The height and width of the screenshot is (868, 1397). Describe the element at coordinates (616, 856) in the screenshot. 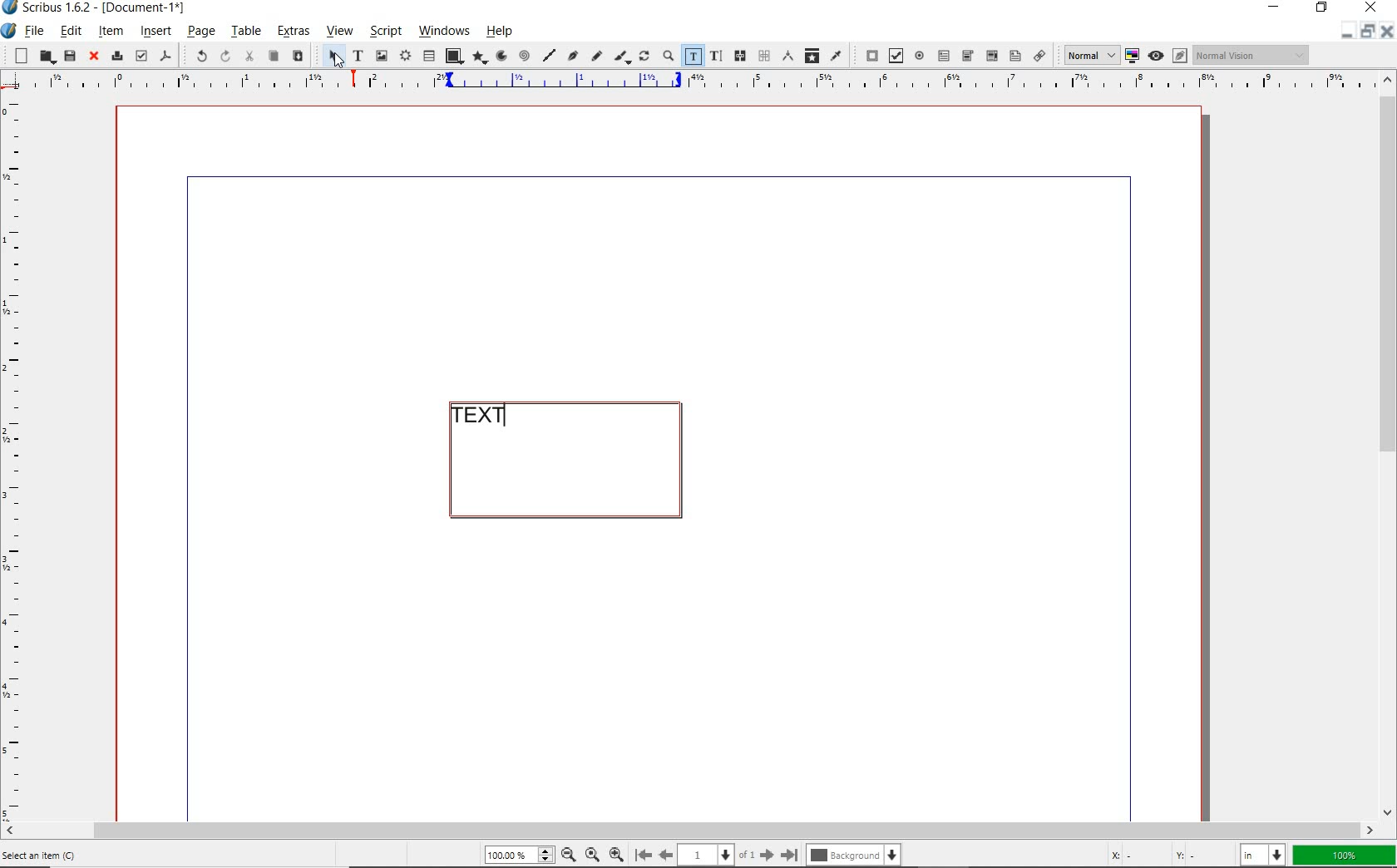

I see `Zoom In` at that location.